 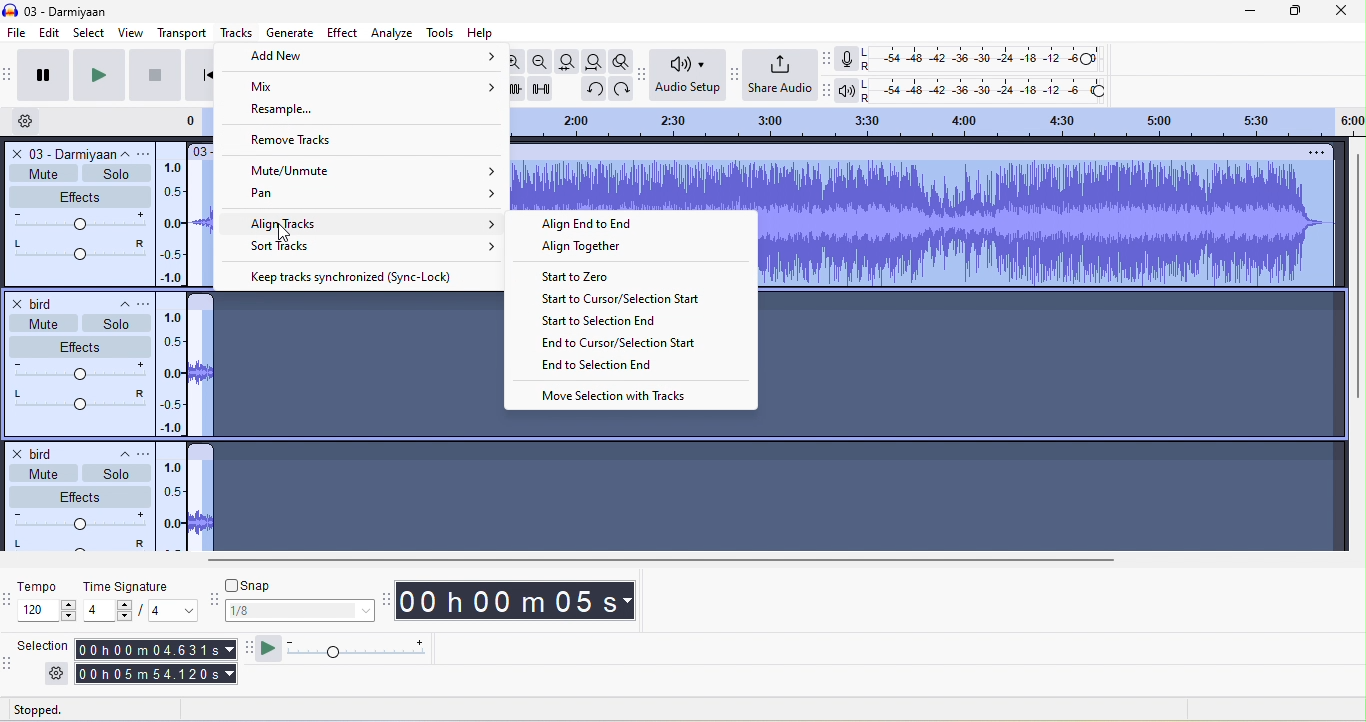 What do you see at coordinates (516, 89) in the screenshot?
I see `trim audio outside selection` at bounding box center [516, 89].